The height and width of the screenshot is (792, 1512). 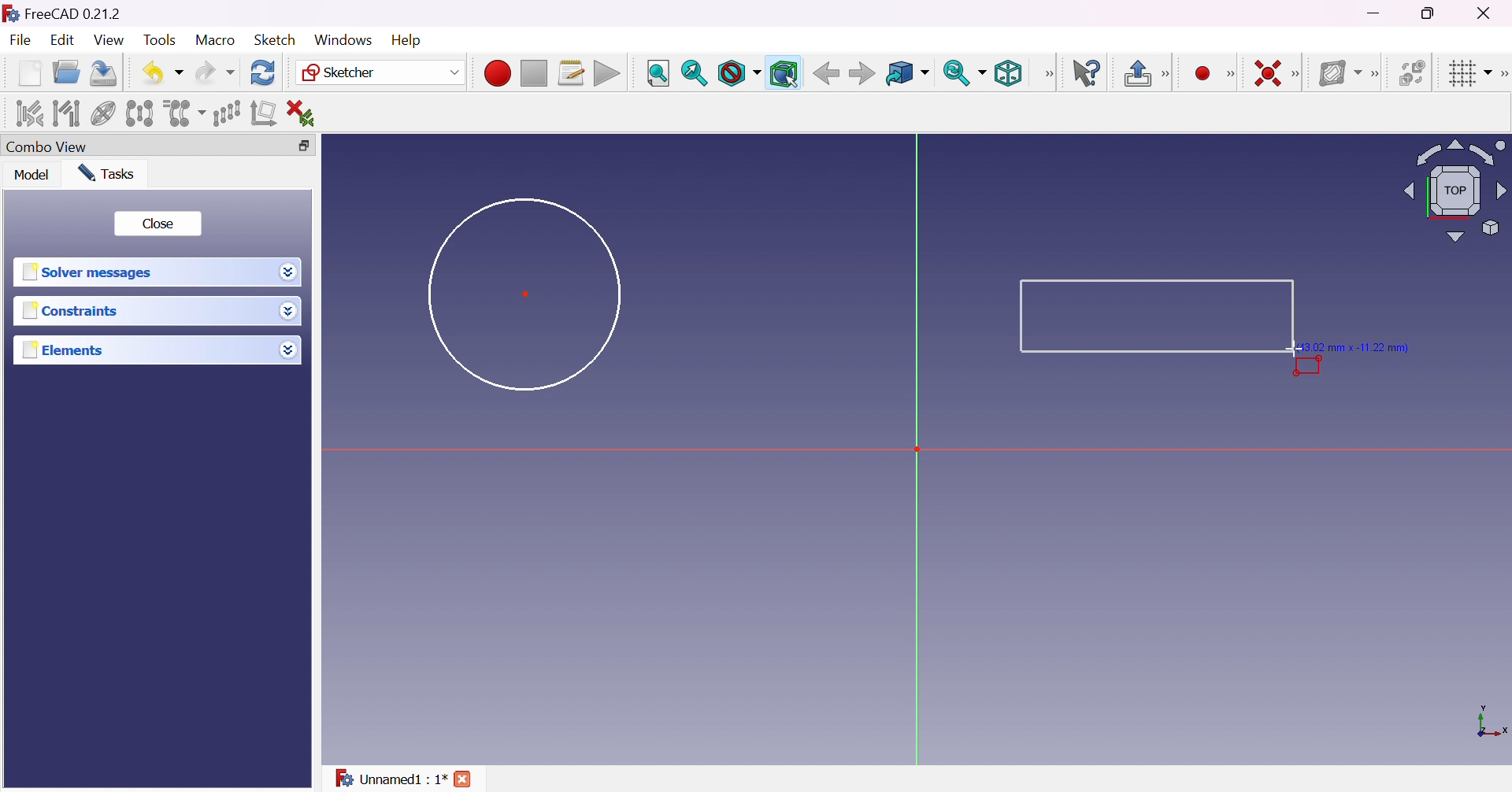 What do you see at coordinates (607, 76) in the screenshot?
I see `Execute macro` at bounding box center [607, 76].